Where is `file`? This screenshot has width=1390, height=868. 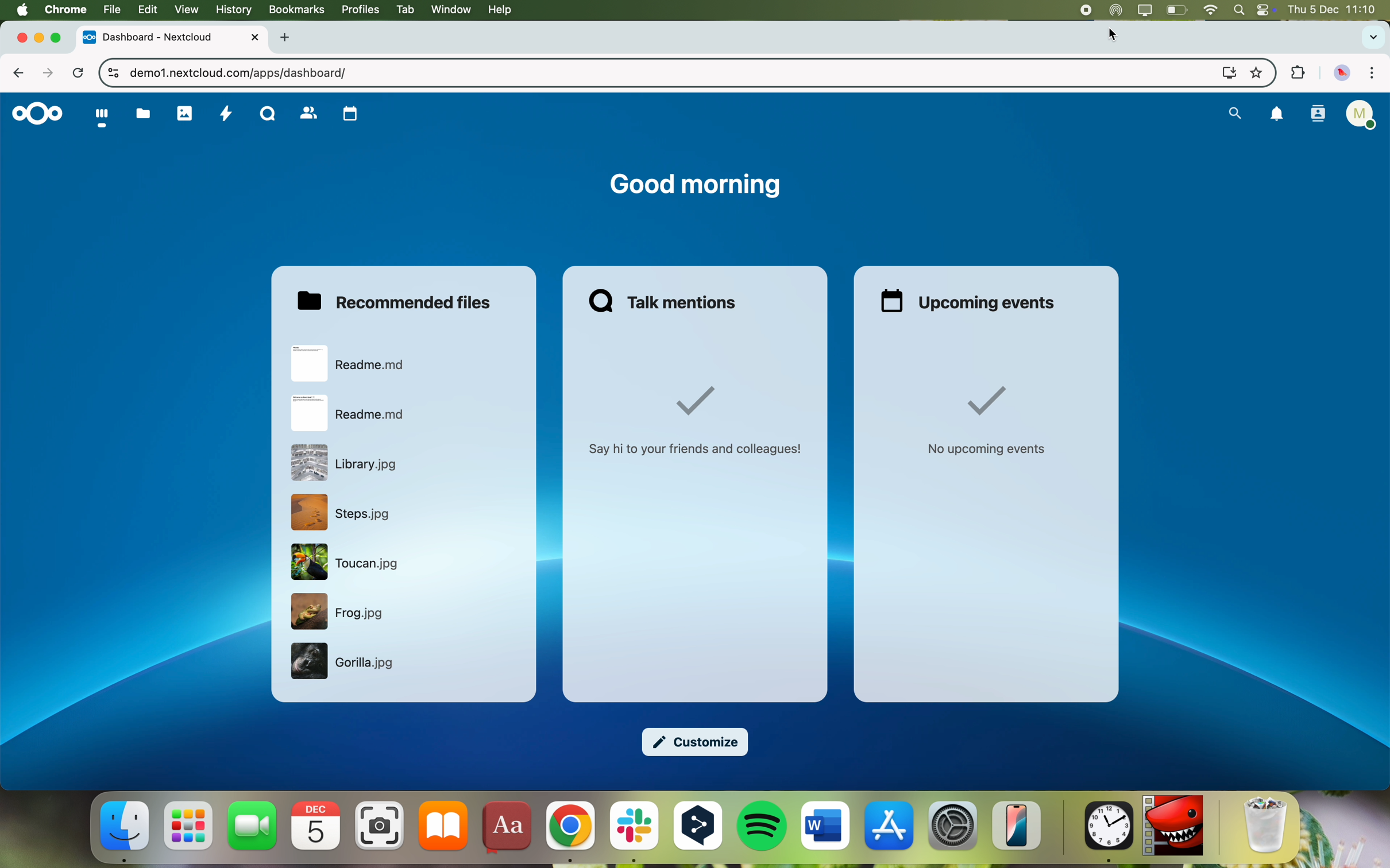
file is located at coordinates (352, 414).